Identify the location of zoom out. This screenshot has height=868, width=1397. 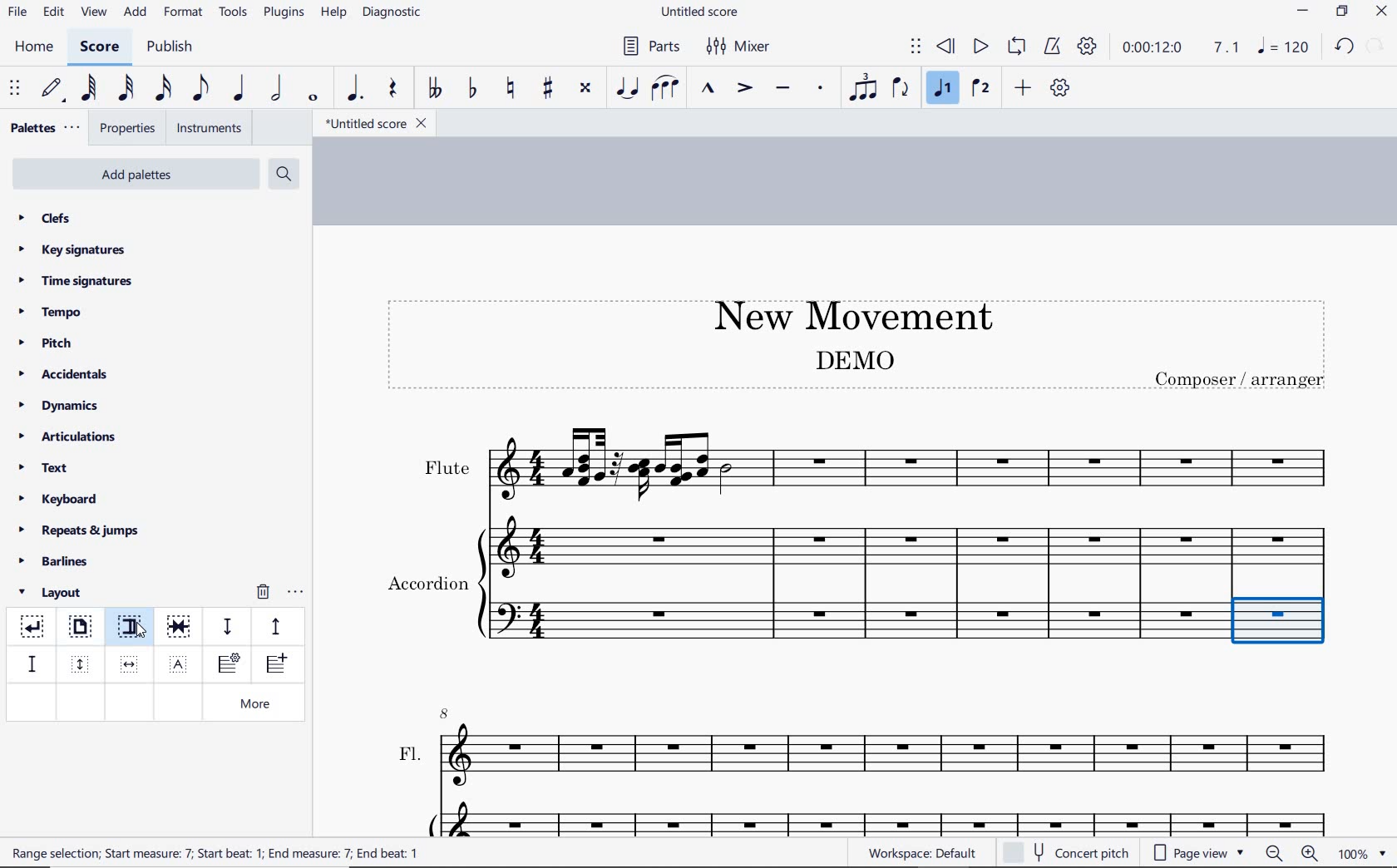
(1276, 853).